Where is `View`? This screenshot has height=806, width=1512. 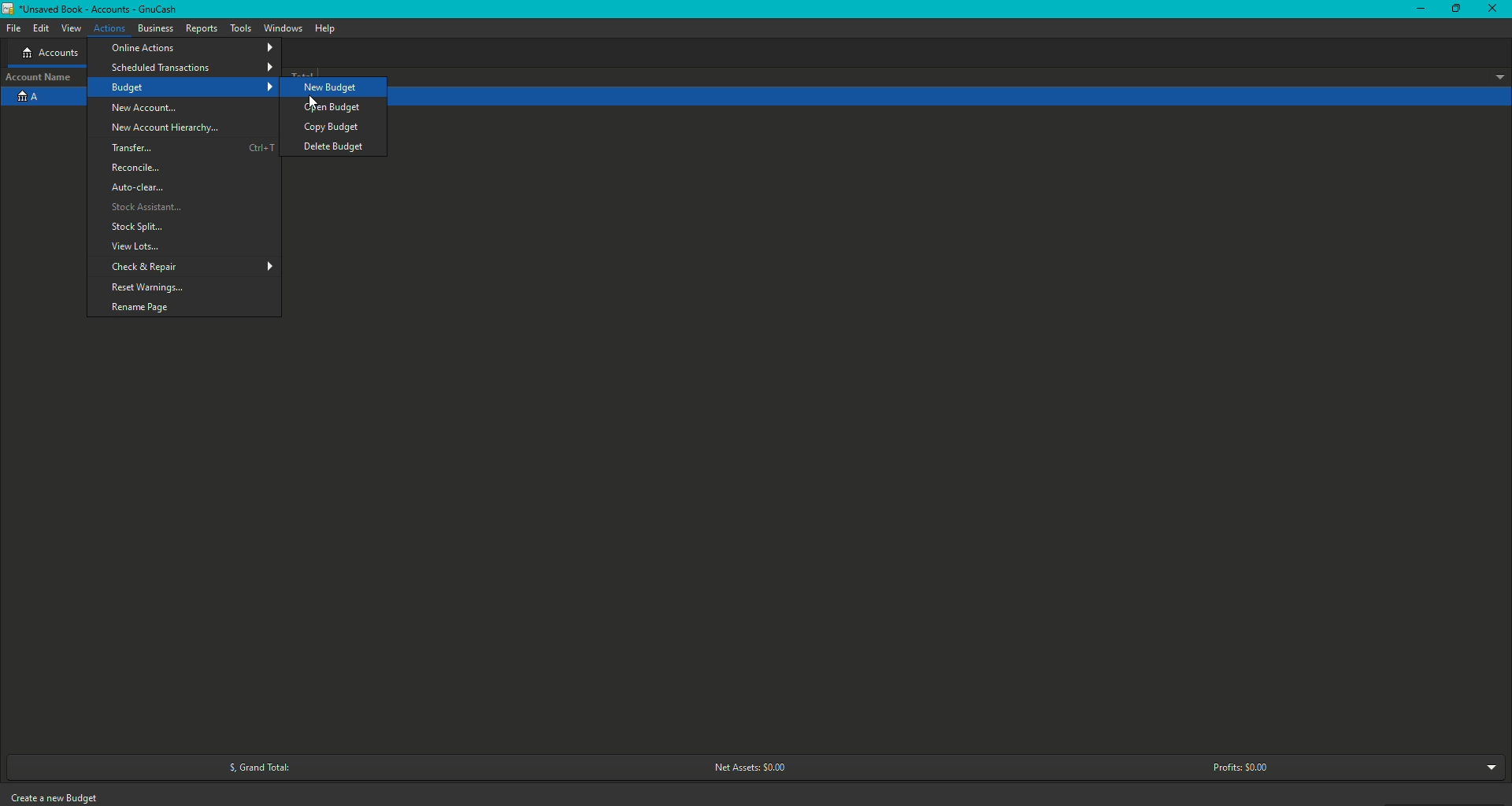 View is located at coordinates (72, 29).